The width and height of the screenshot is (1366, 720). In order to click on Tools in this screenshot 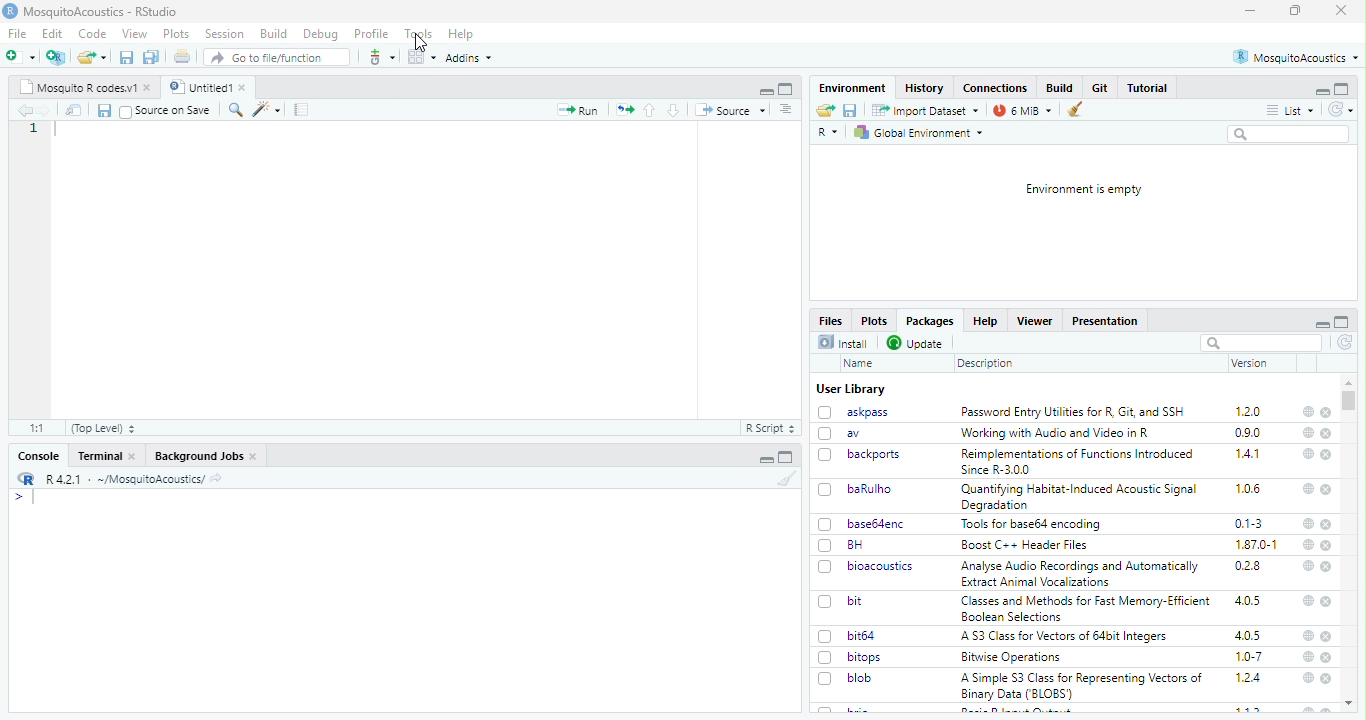, I will do `click(419, 34)`.